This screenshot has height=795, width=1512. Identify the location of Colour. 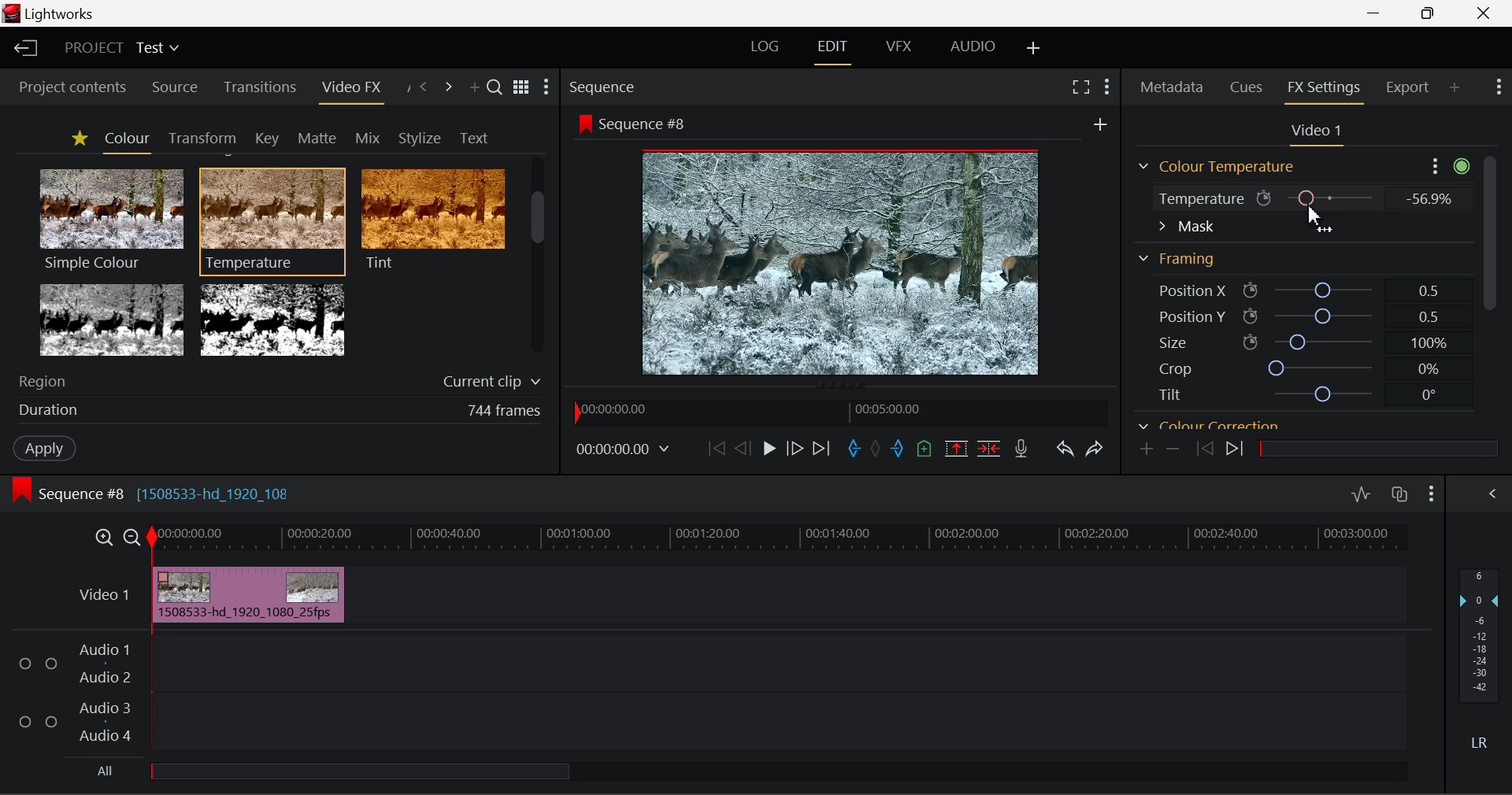
(124, 139).